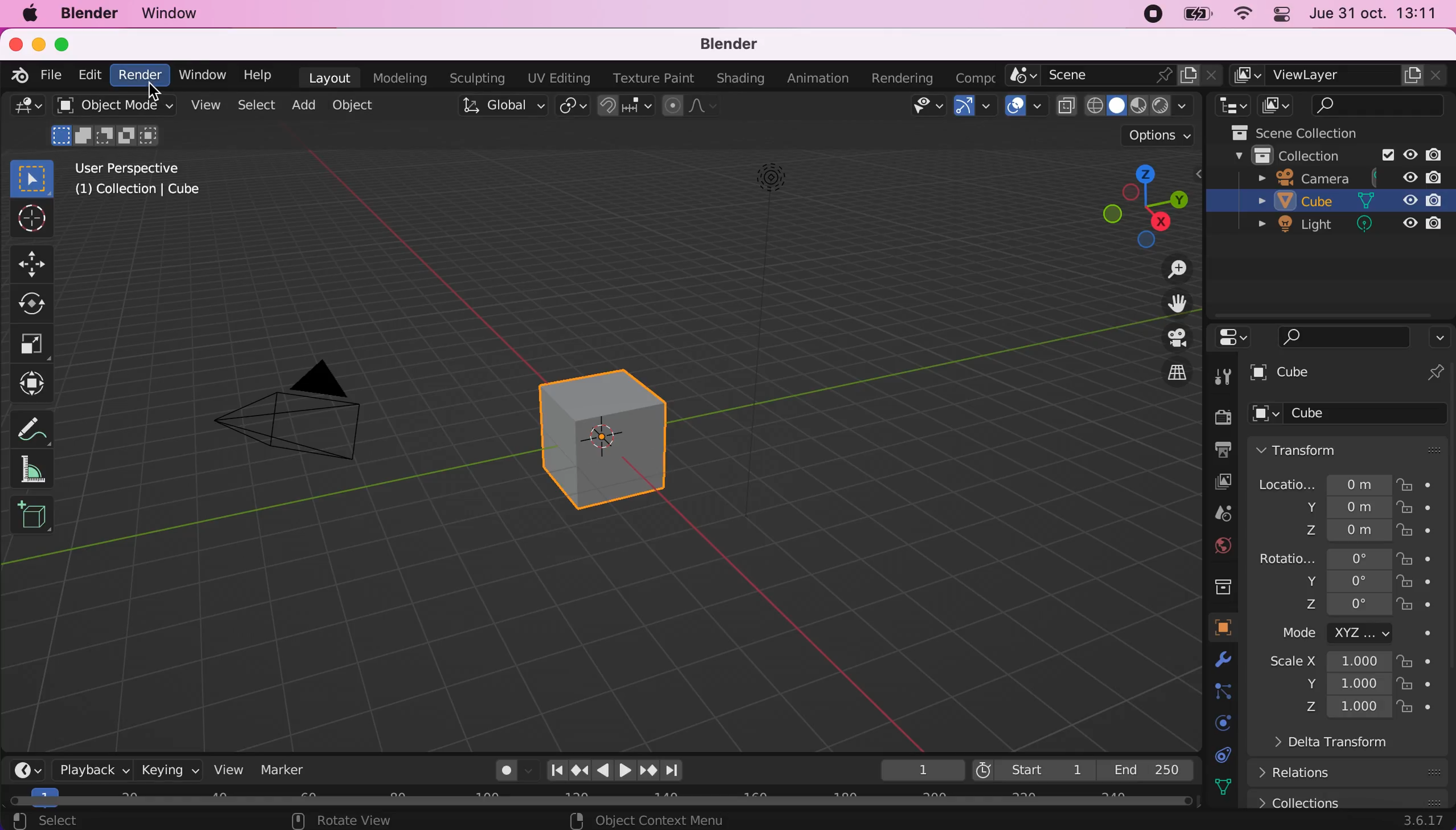 This screenshot has height=830, width=1456. I want to click on lock, so click(1416, 533).